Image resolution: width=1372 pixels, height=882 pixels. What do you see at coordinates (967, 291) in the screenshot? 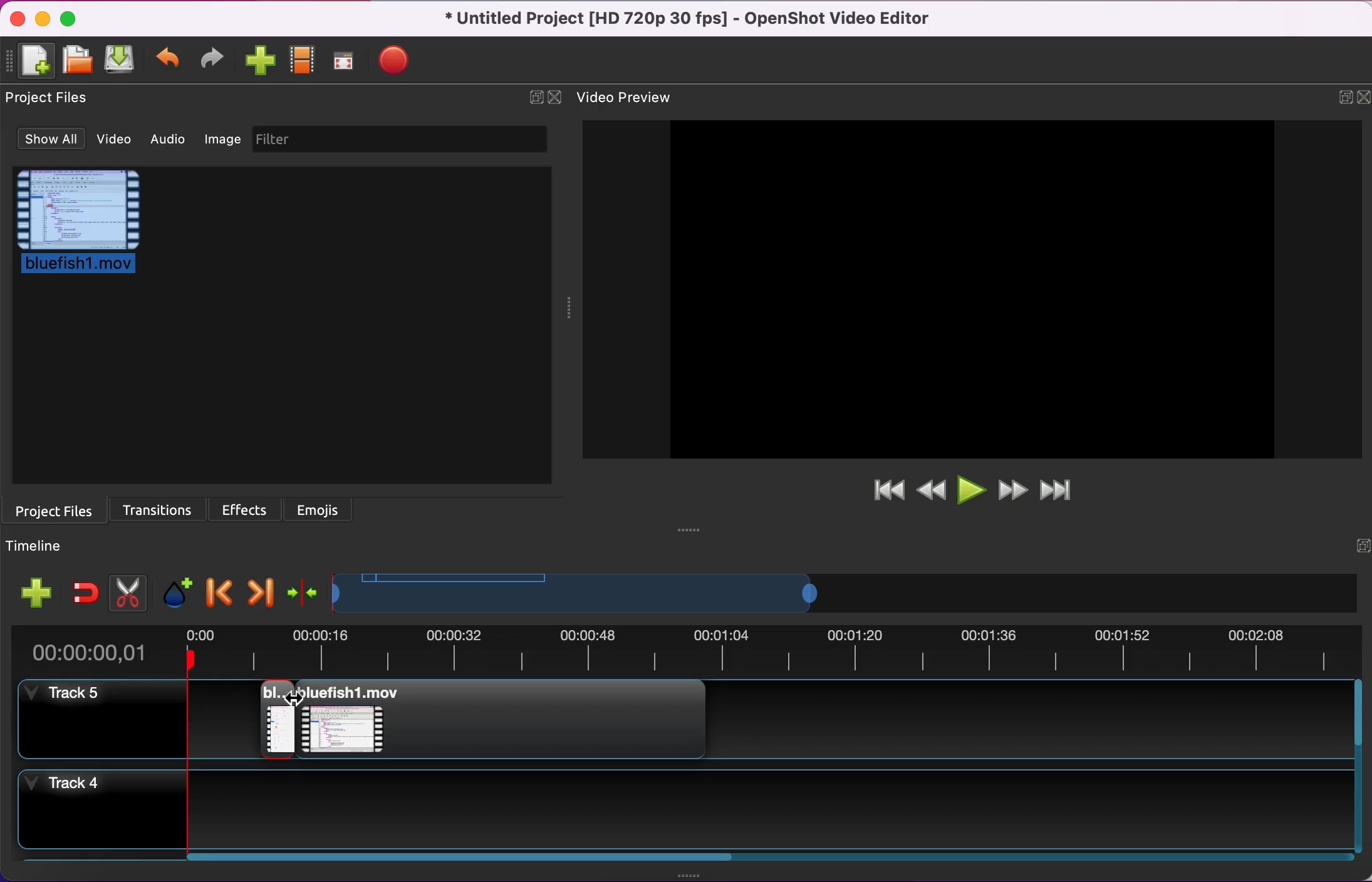
I see `video preview` at bounding box center [967, 291].